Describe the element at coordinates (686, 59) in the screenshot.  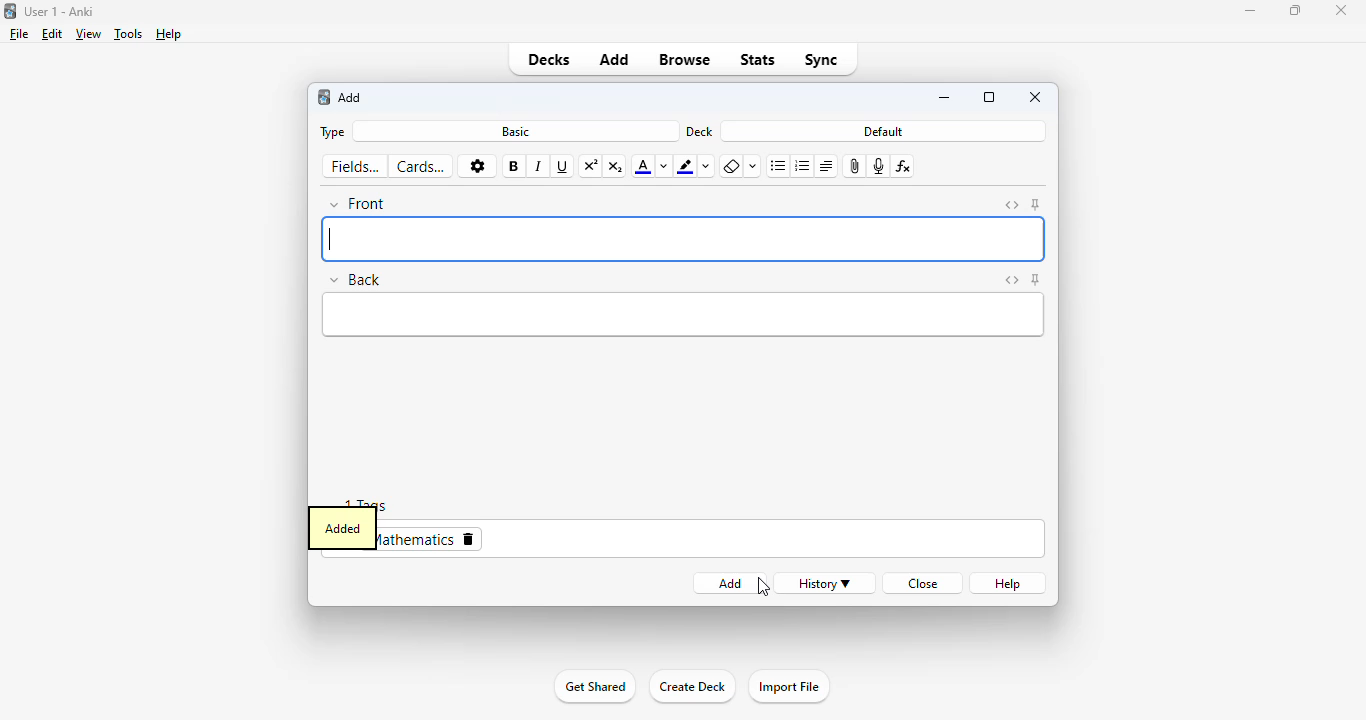
I see `browse` at that location.